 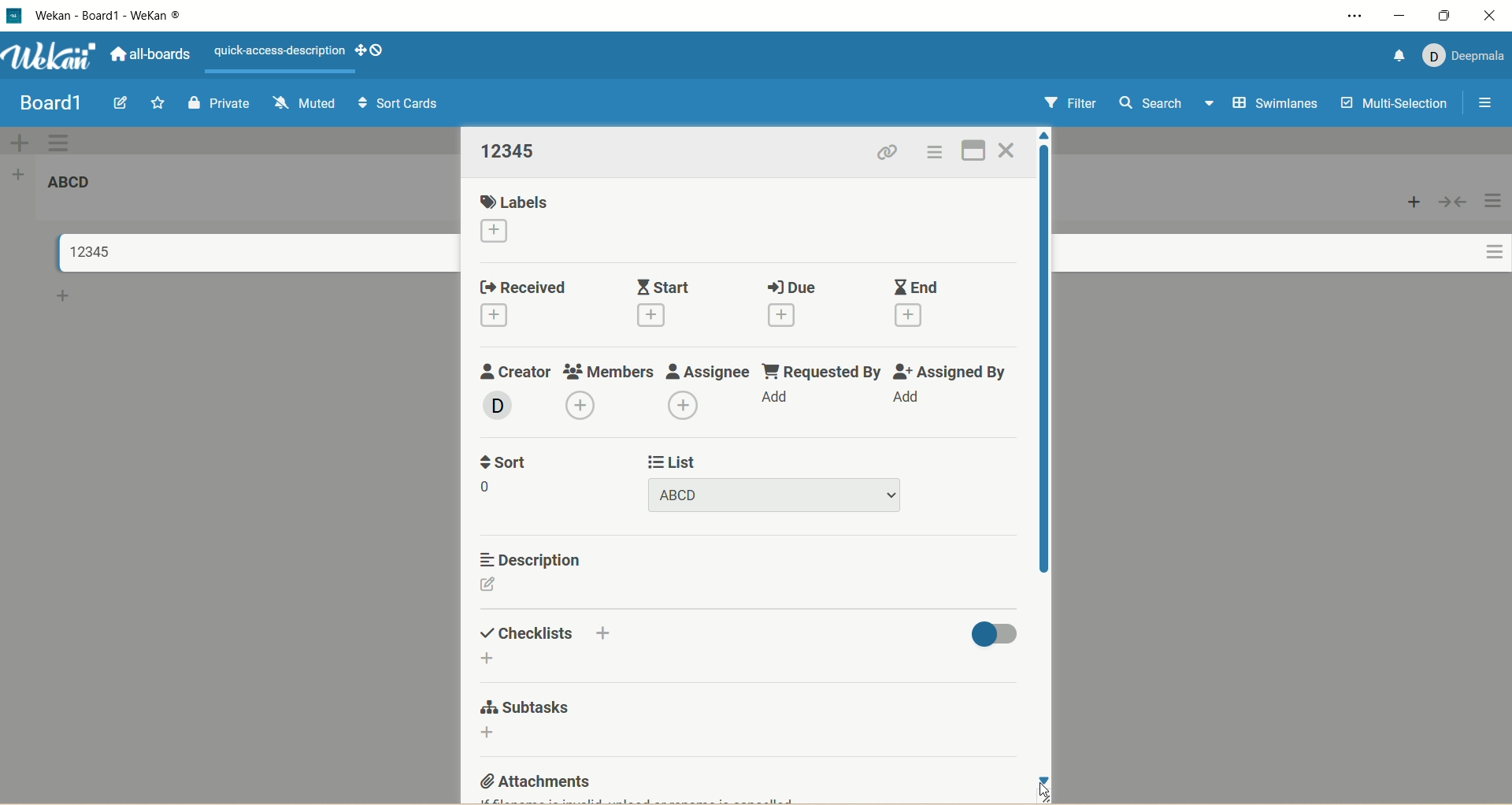 What do you see at coordinates (220, 101) in the screenshot?
I see `private` at bounding box center [220, 101].